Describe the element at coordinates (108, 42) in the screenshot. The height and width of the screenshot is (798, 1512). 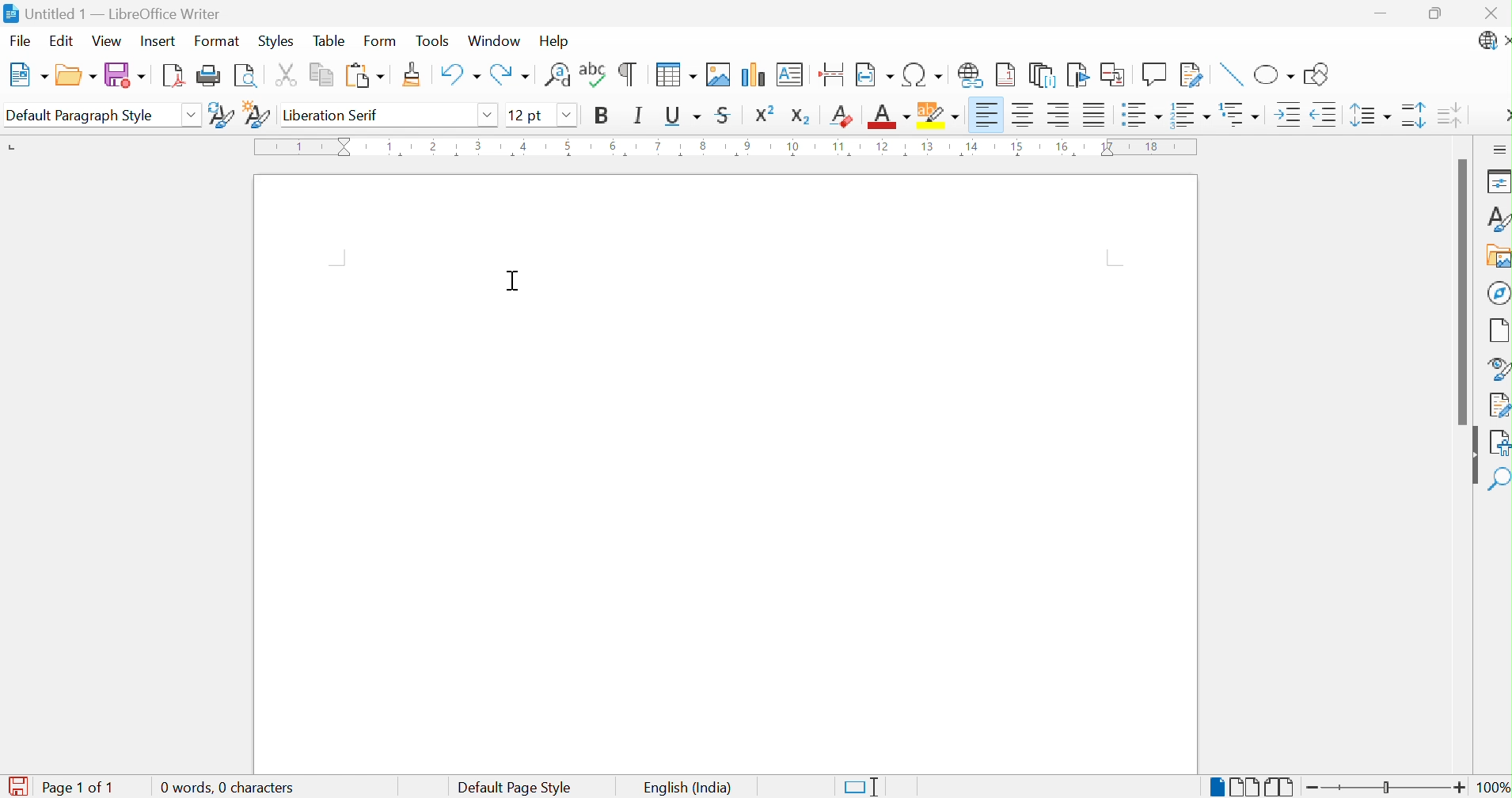
I see `View` at that location.